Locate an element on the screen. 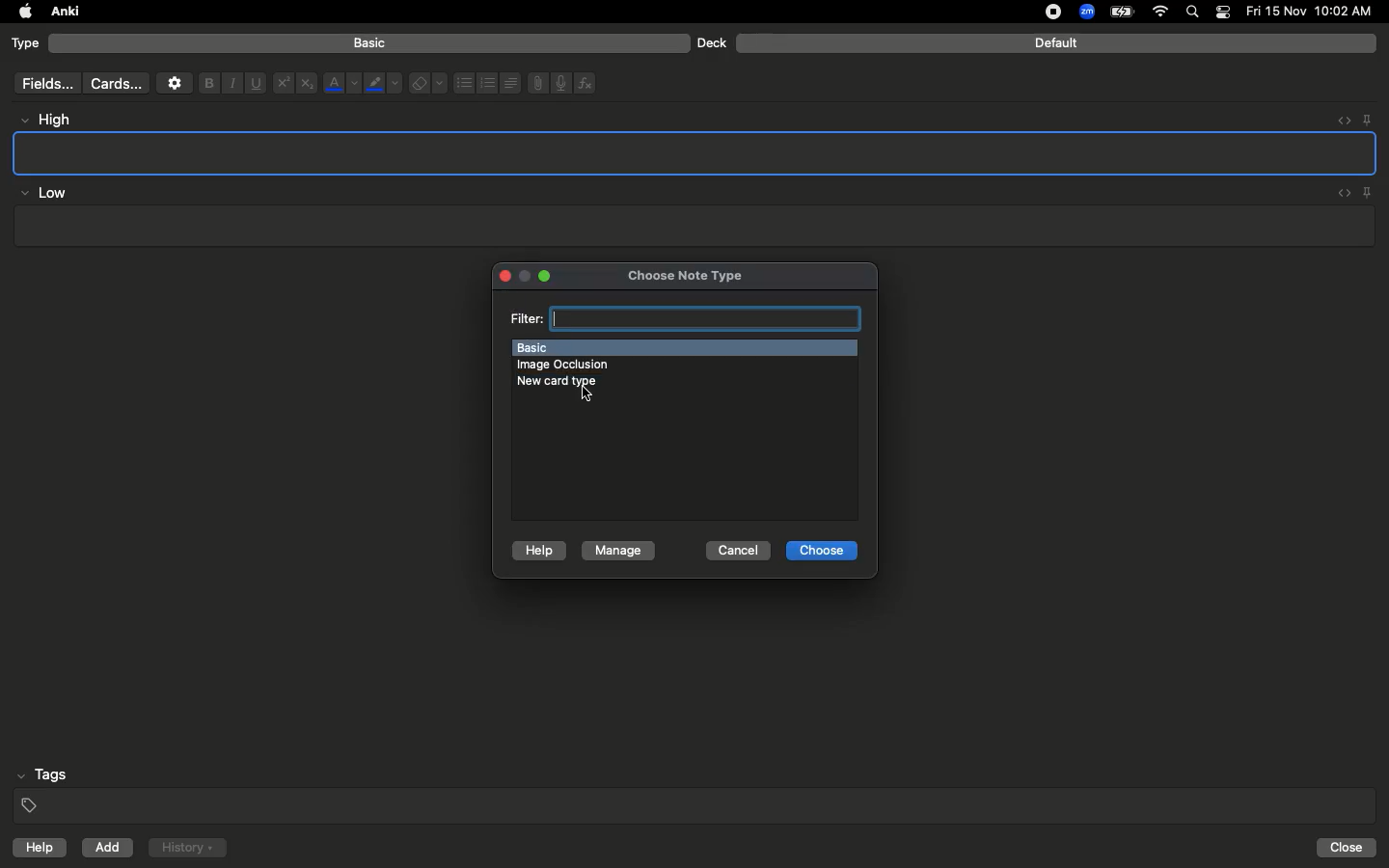 The height and width of the screenshot is (868, 1389). Charge is located at coordinates (1121, 12).